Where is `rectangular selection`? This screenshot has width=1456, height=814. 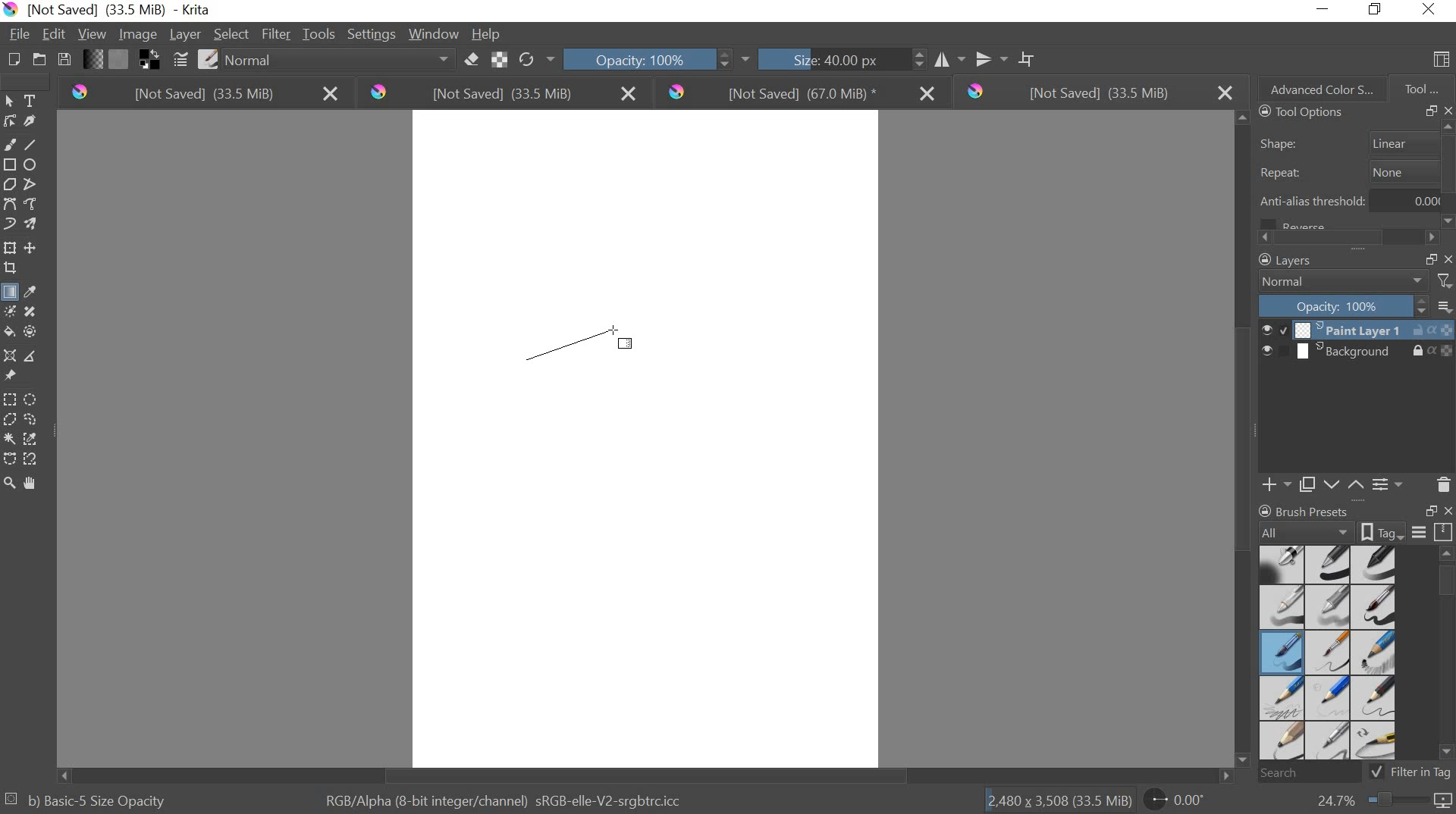 rectangular selection is located at coordinates (10, 398).